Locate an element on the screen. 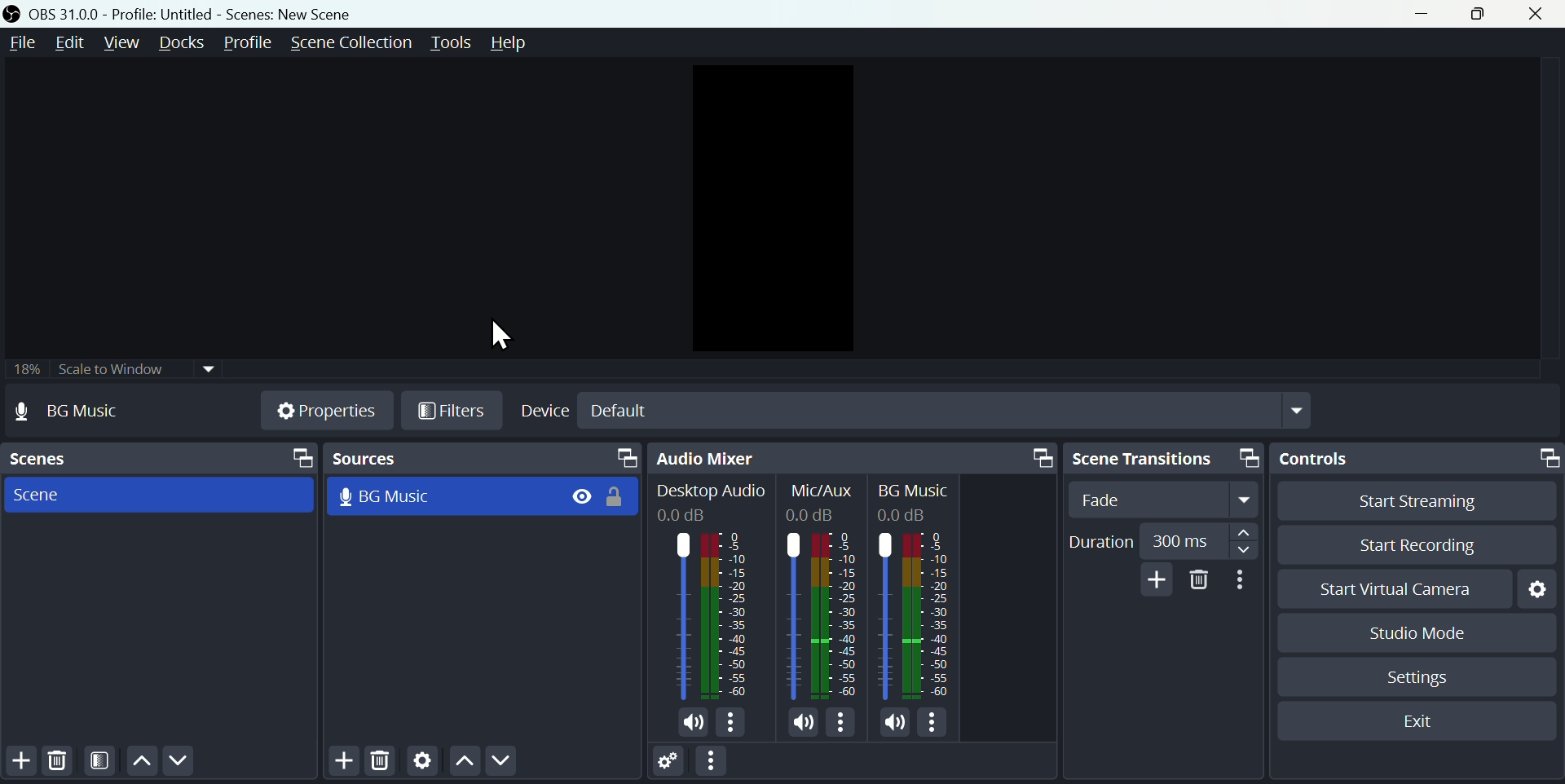 The image size is (1565, 784). Visible is located at coordinates (582, 496).